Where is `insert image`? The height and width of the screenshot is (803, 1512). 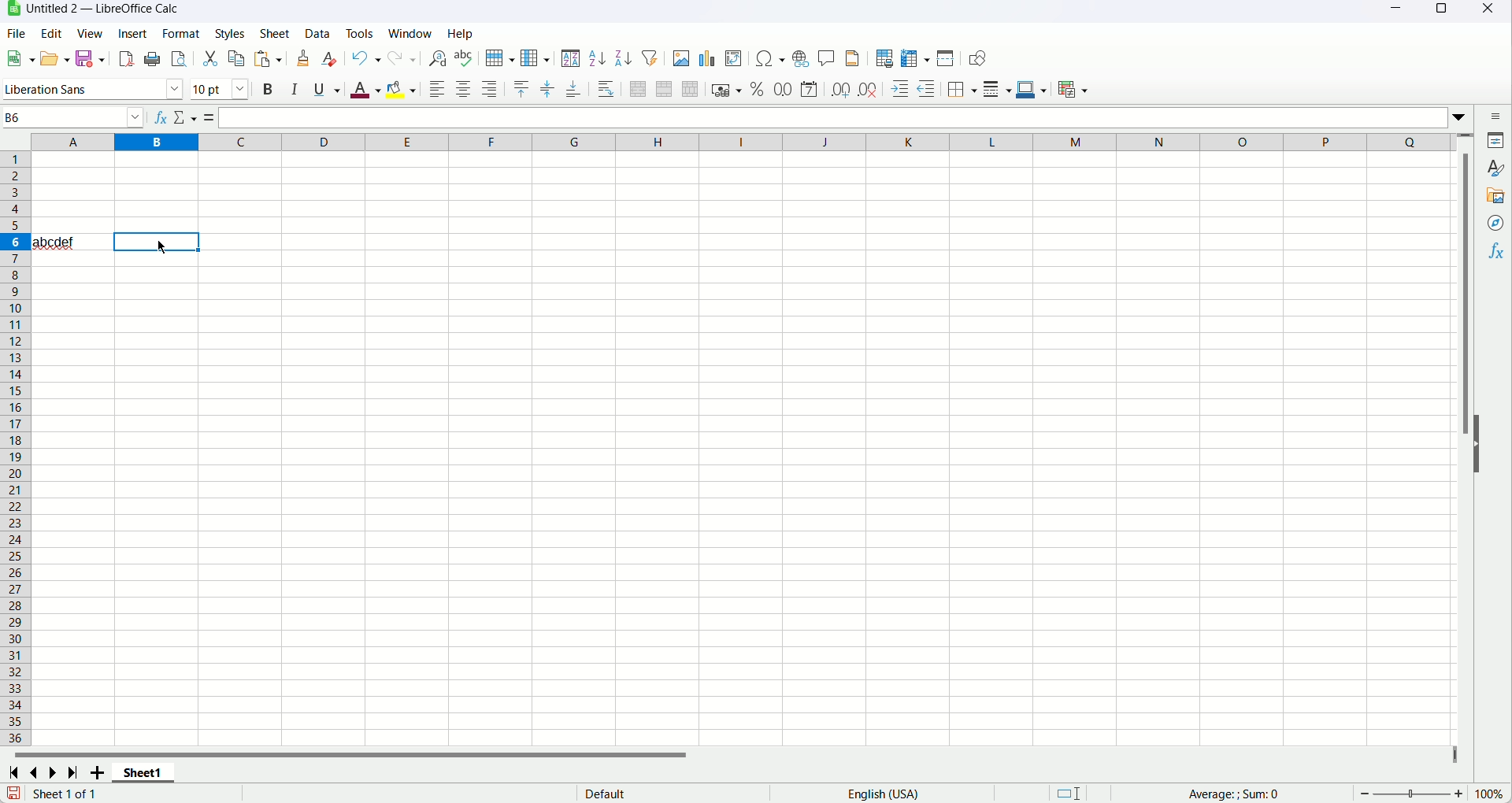 insert image is located at coordinates (681, 58).